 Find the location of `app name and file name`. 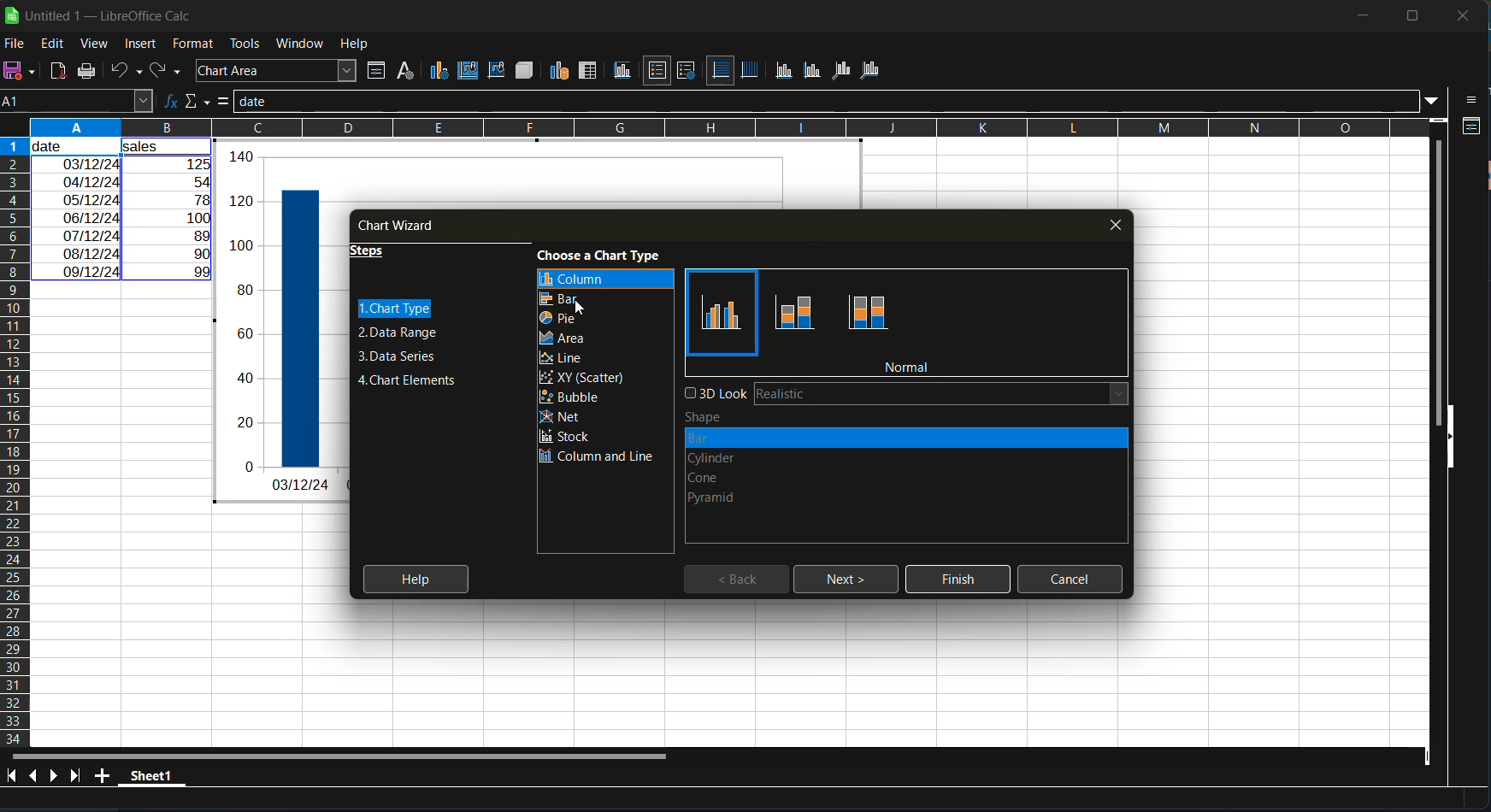

app name and file name is located at coordinates (100, 13).